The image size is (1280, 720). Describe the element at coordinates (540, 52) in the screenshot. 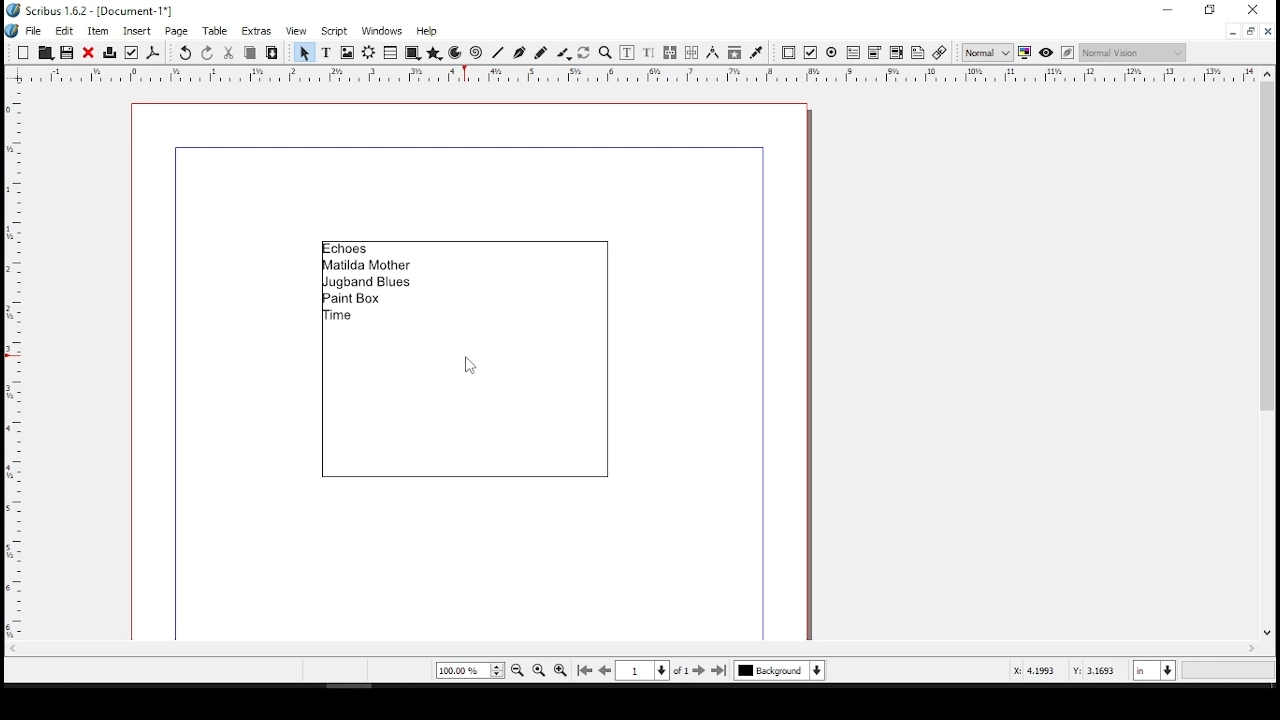

I see `freehand line` at that location.